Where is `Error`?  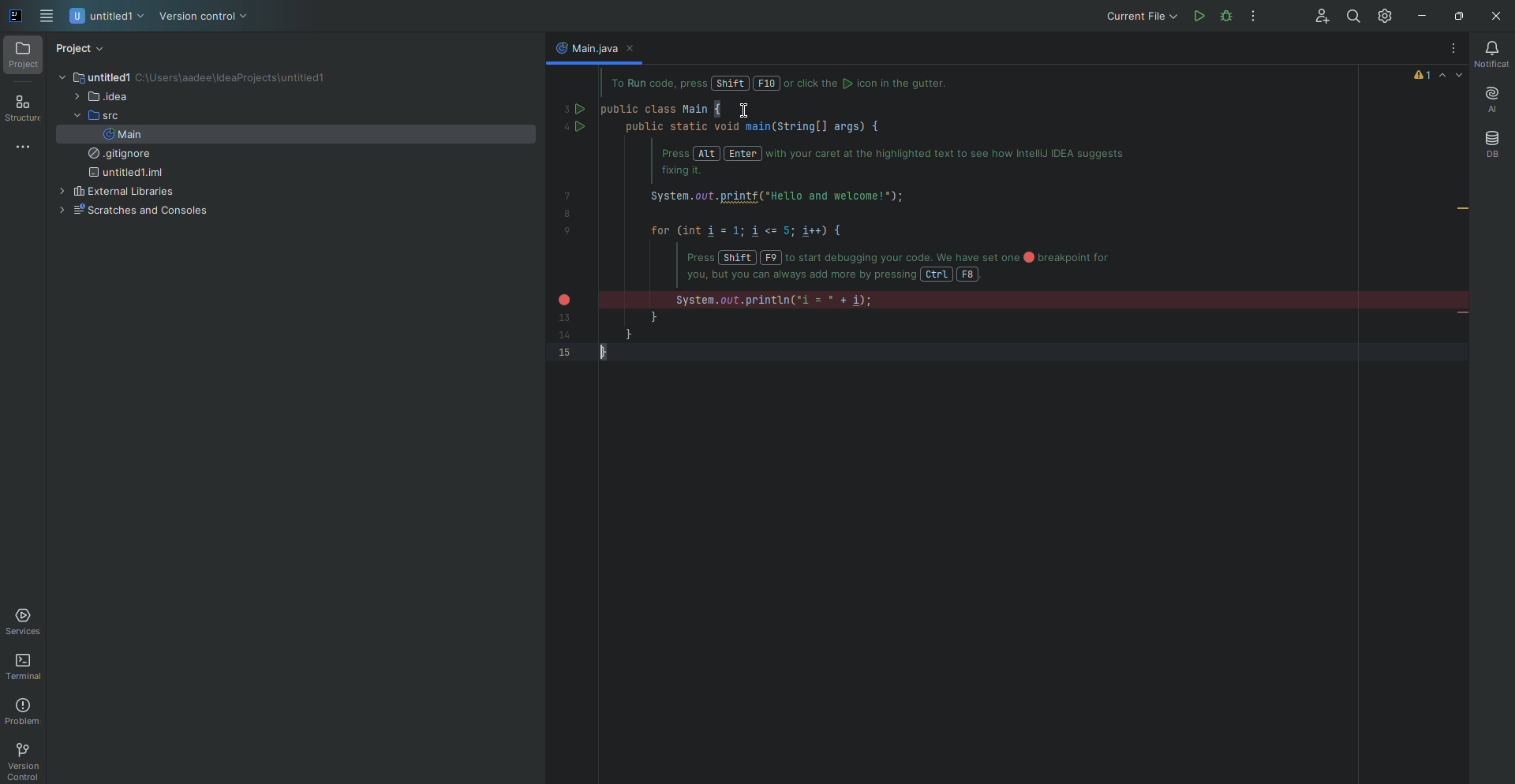
Error is located at coordinates (1439, 75).